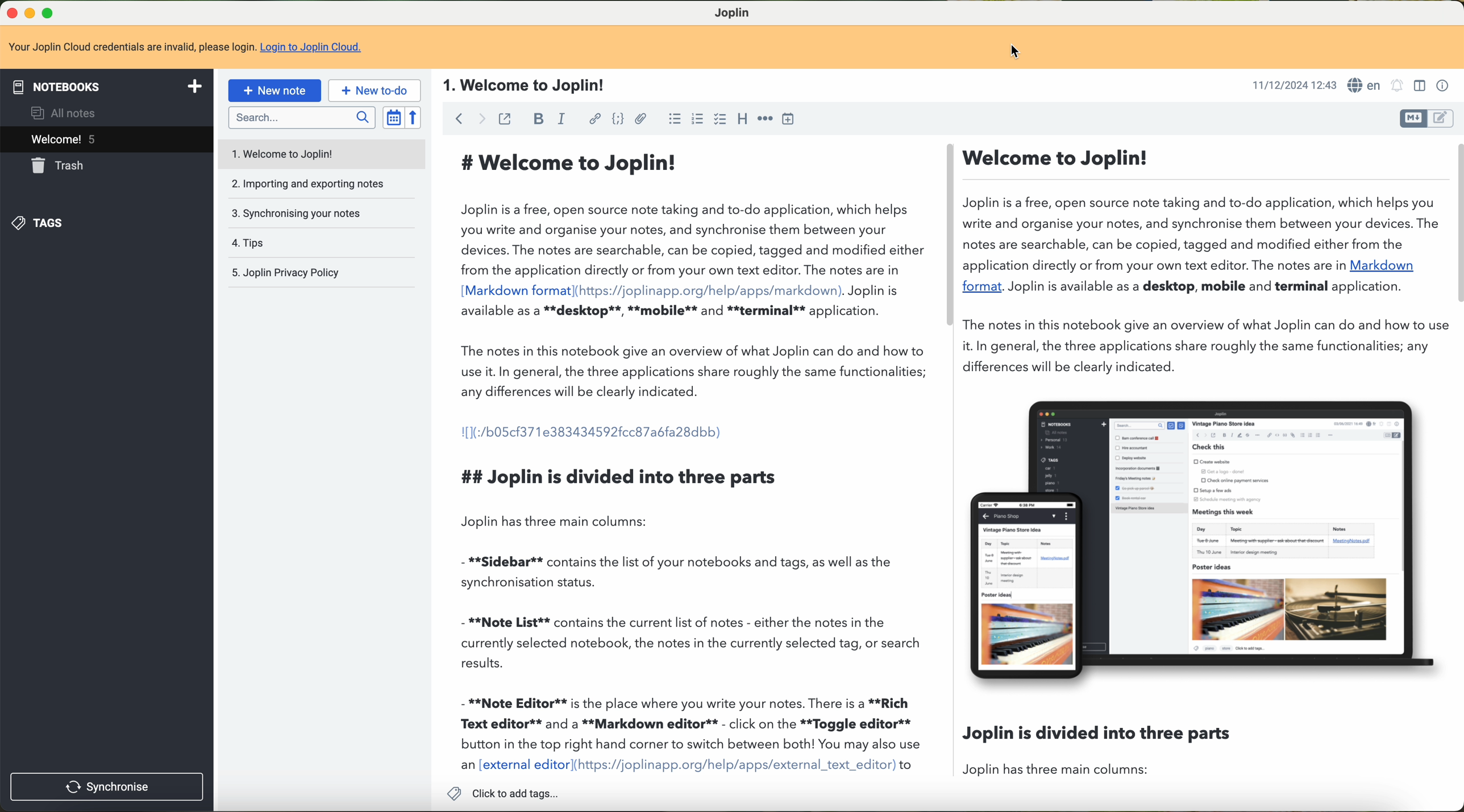 The width and height of the screenshot is (1464, 812). Describe the element at coordinates (691, 458) in the screenshot. I see `# Welcome to Joplin!

Joplin is a free, open source note taking and to-do application, which helps
you write and organise your notes, and synchronise them between your
devices. The notes are searchable, can be copied, tagged and modified either
from the application directly or from your own text editor. The notes are in
[Markdown format](https://joplinapp.org/help/apps/markdown). Joplin is
available as a **desktop**, **mobile** and **terminal** application.

The notes in this notebook give an overview of what Joplin can do and how to
use it. In general, the three applications share roughly the same functionalities;
any differences will be clearly indicated.
1[1(:/b05cf371e383434592fcc87a6fa28dbb)

## Joplin is divided into three parts

Joplin has three main columns:

- **Sidebar** contains the list of your notebooks and tags, as well as the
synchronisation status.

- **Note List** contains the current list of notes - either the notes in the
currently selected notebook, the notes in the currently selected tag, or search
results.

- **Note Editor** is the place where you write your notes. There is a **Rich
Text editor** and a **Markdown editor** - click on the **Toggle editor**
button in the top right hand corner to switch between both! You may also use
an [external editor](https://joplinapp.org/help/apps/external_text_editor) to` at that location.